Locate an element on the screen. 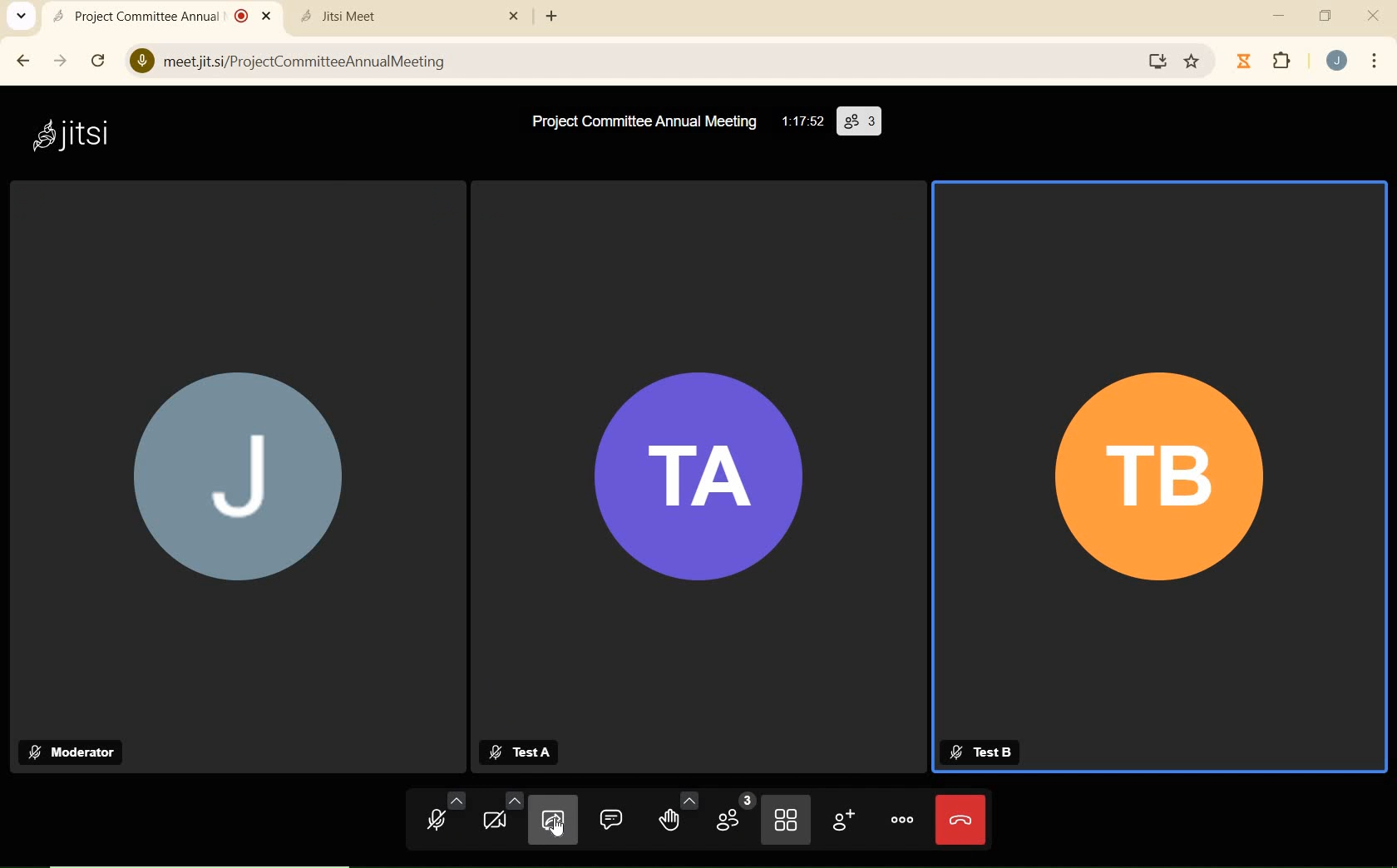 The image size is (1397, 868). J is located at coordinates (234, 473).